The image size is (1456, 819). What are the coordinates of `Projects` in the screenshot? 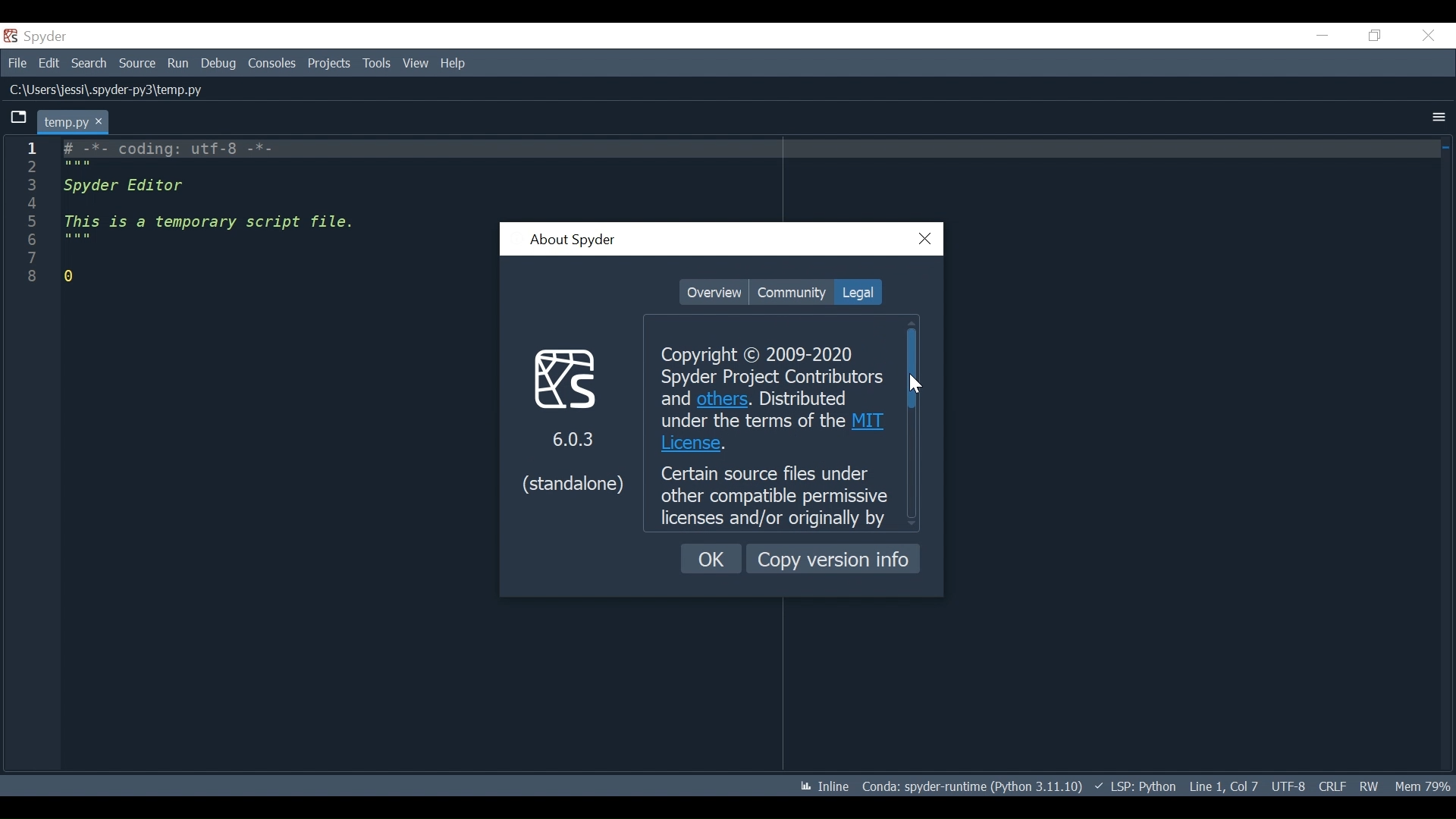 It's located at (329, 64).